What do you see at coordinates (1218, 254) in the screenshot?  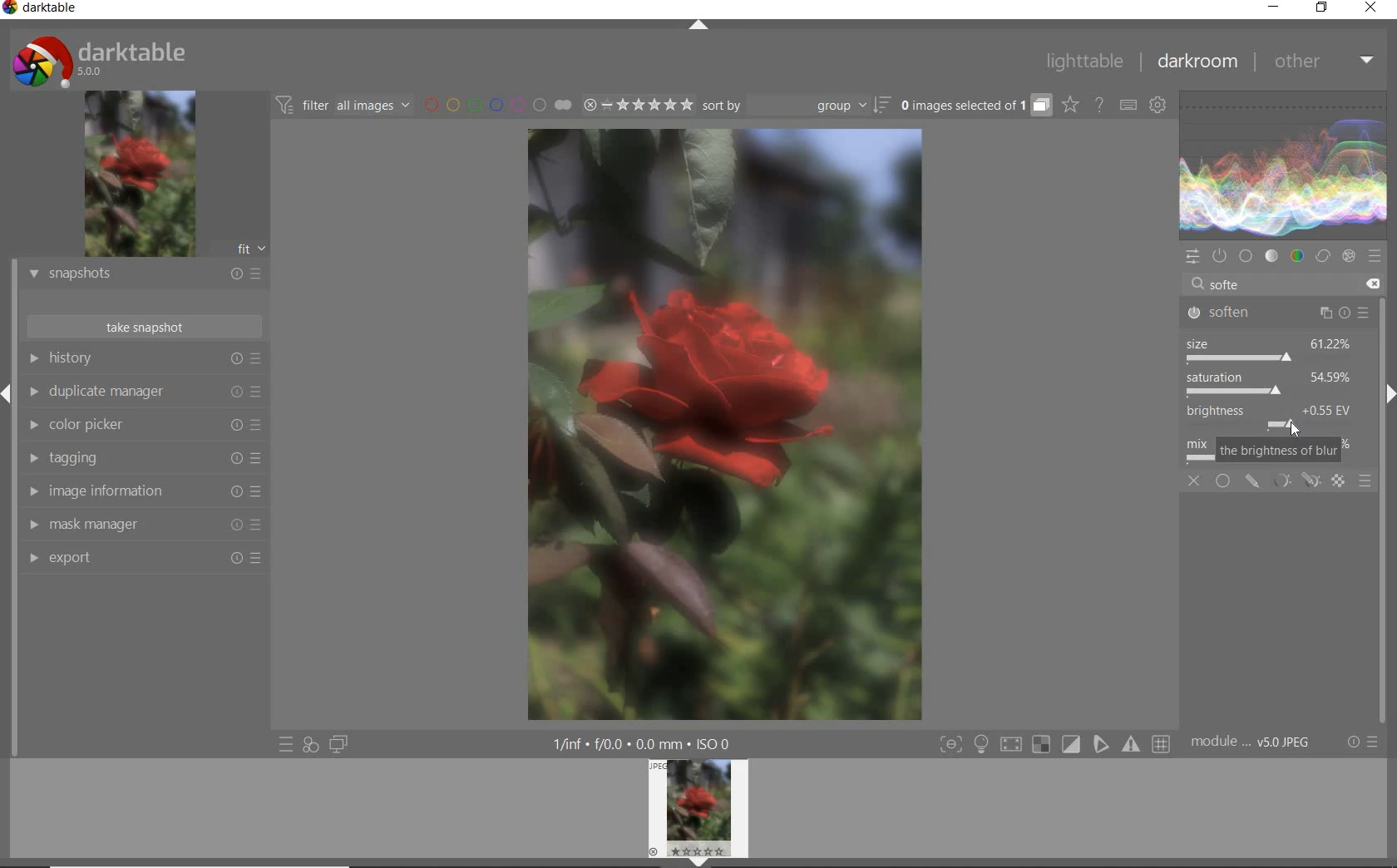 I see `show only active modules` at bounding box center [1218, 254].